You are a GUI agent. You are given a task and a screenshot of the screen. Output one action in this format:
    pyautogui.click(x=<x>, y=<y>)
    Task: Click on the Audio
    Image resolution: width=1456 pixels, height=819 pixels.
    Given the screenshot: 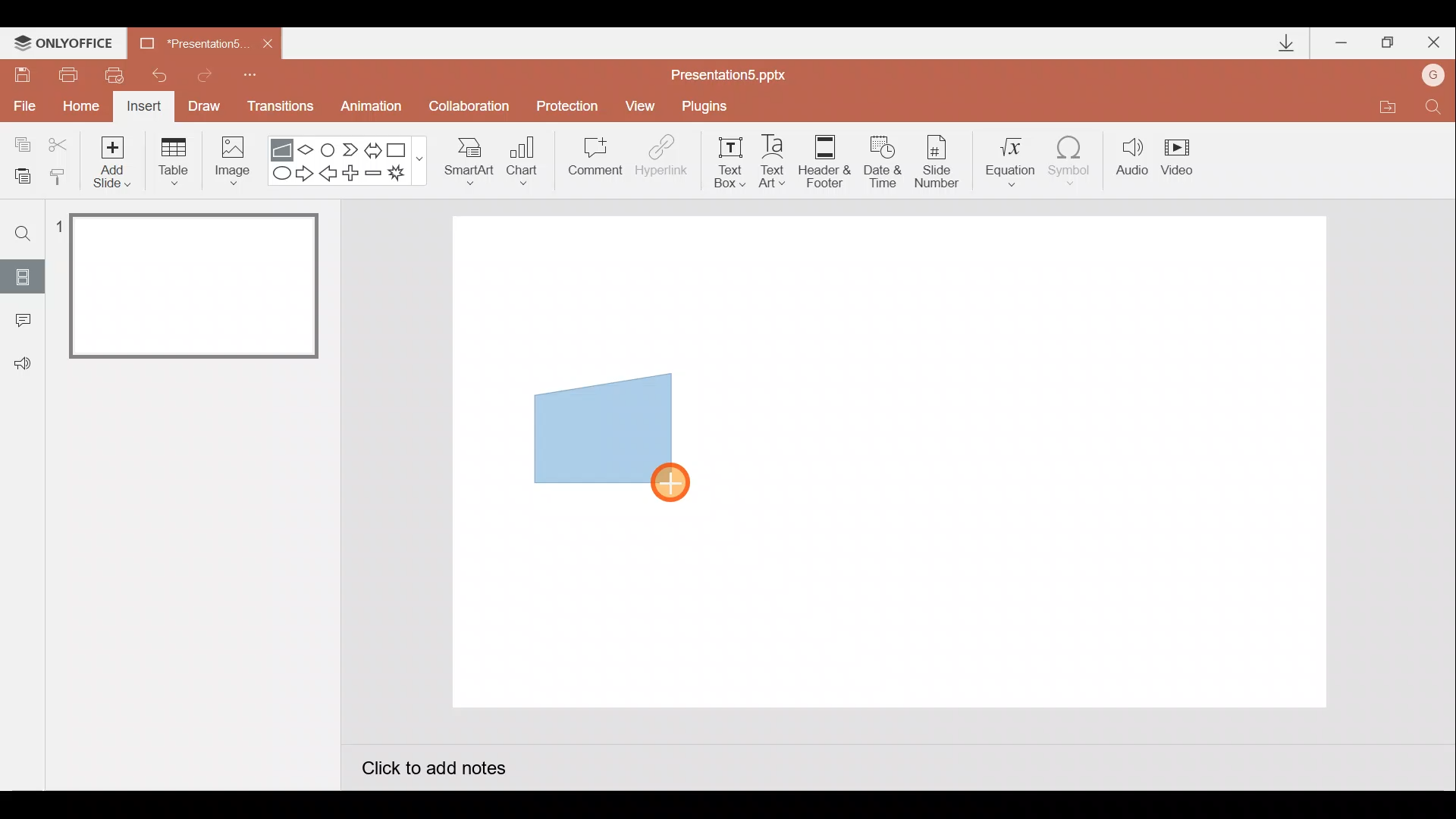 What is the action you would take?
    pyautogui.click(x=1133, y=160)
    